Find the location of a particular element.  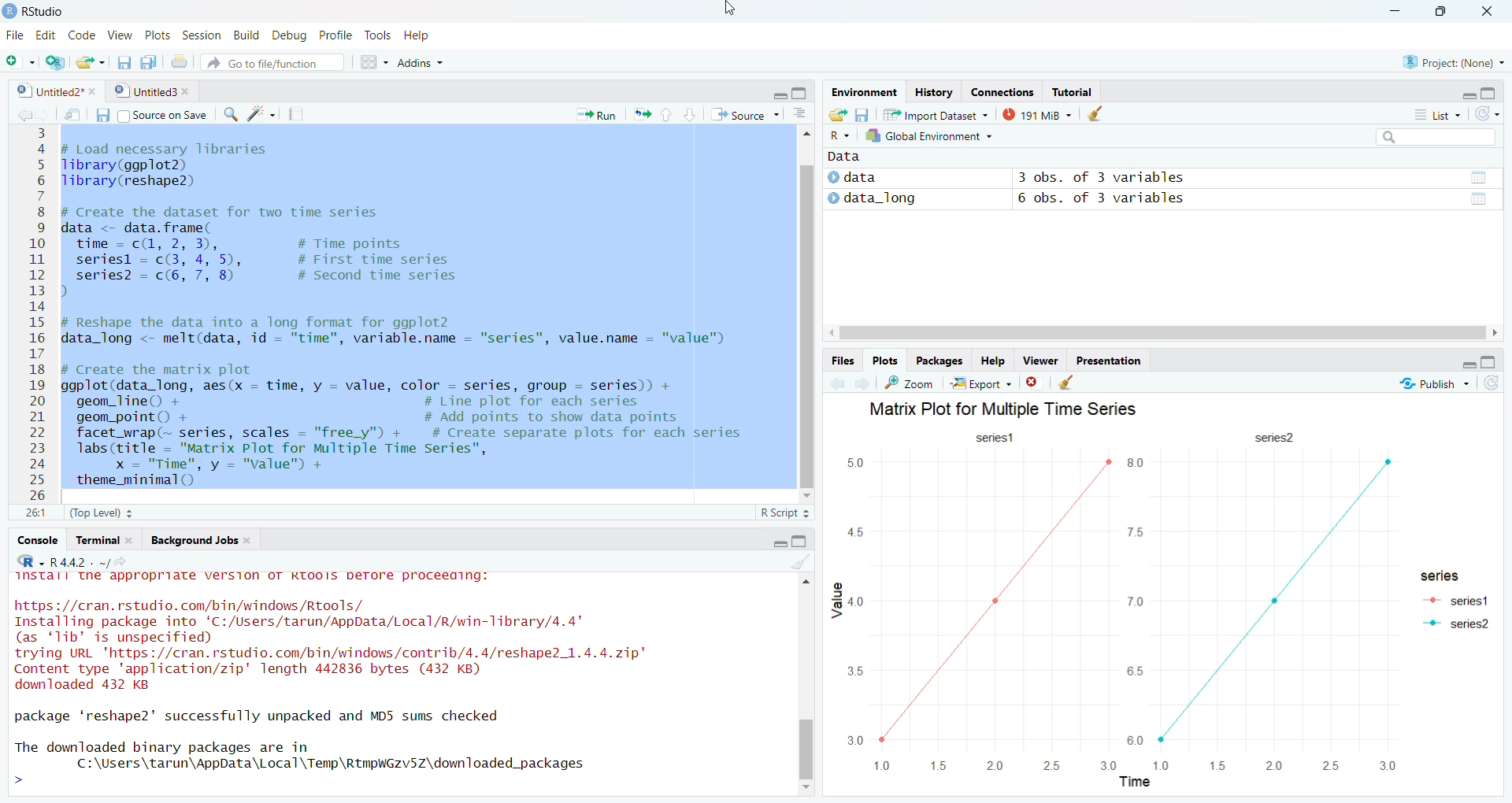

Packages is located at coordinates (938, 361).